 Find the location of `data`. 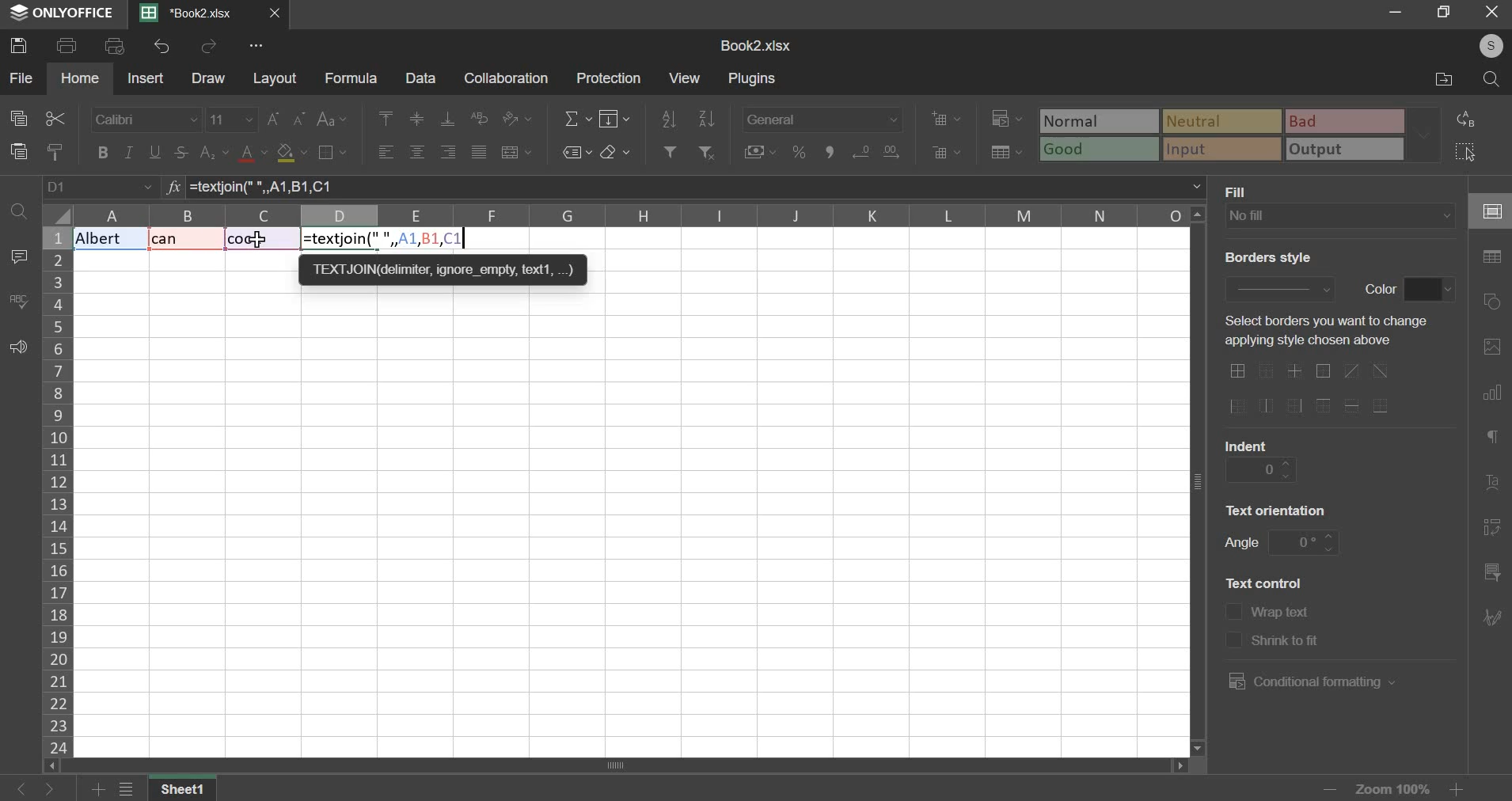

data is located at coordinates (420, 78).